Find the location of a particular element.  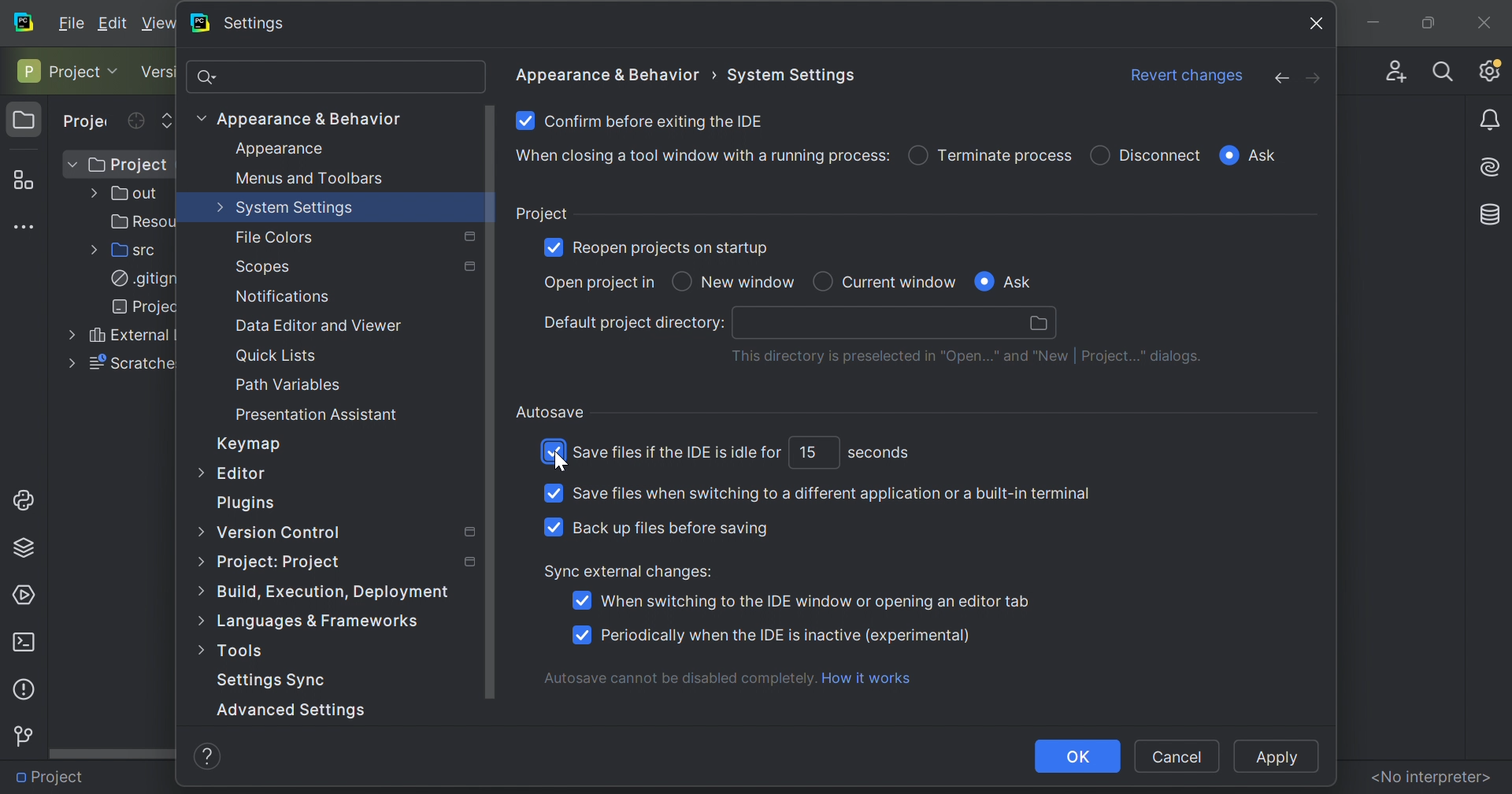

Services is located at coordinates (26, 593).